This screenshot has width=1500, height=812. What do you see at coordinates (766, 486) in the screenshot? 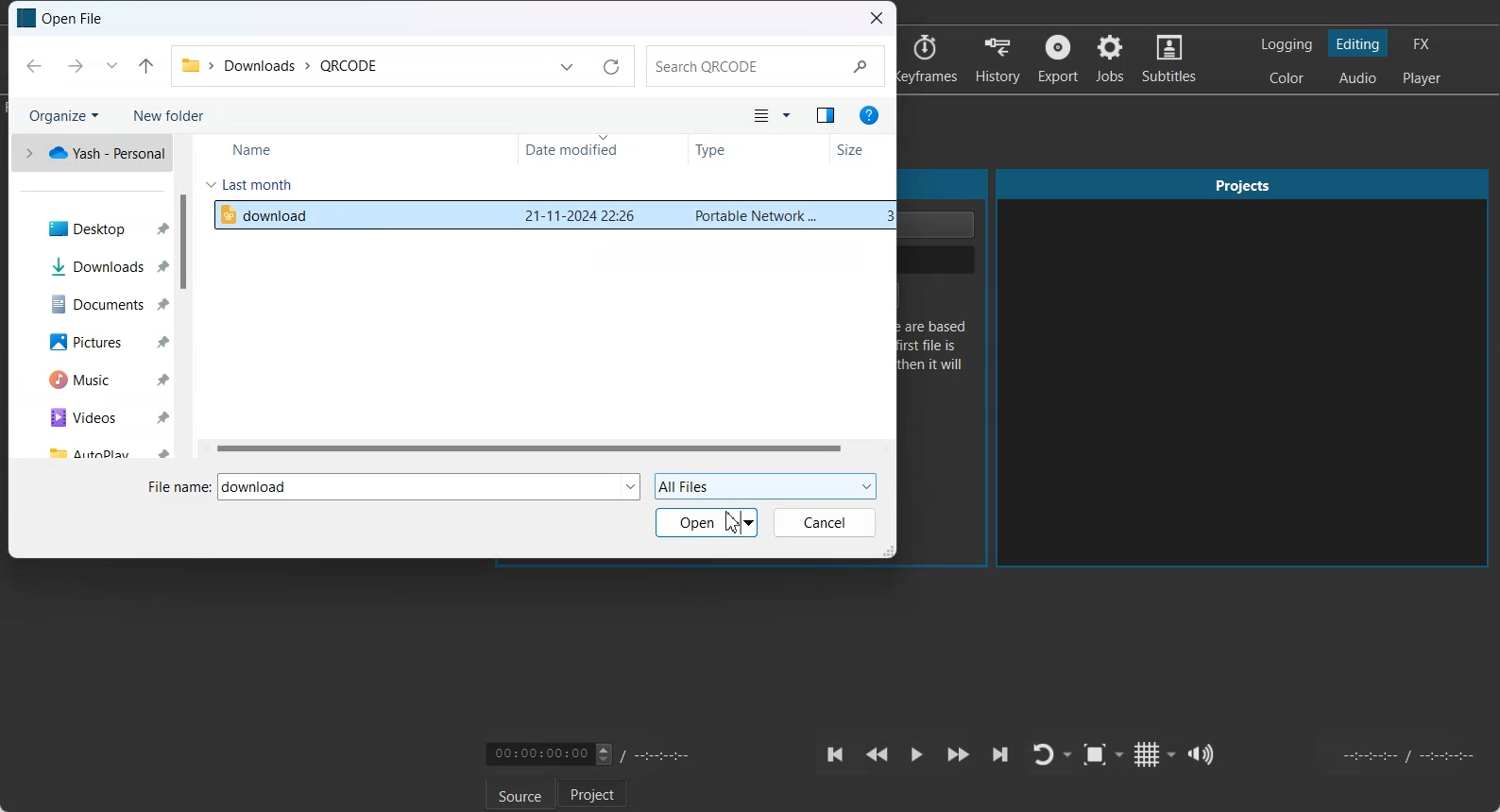
I see `All Files` at bounding box center [766, 486].